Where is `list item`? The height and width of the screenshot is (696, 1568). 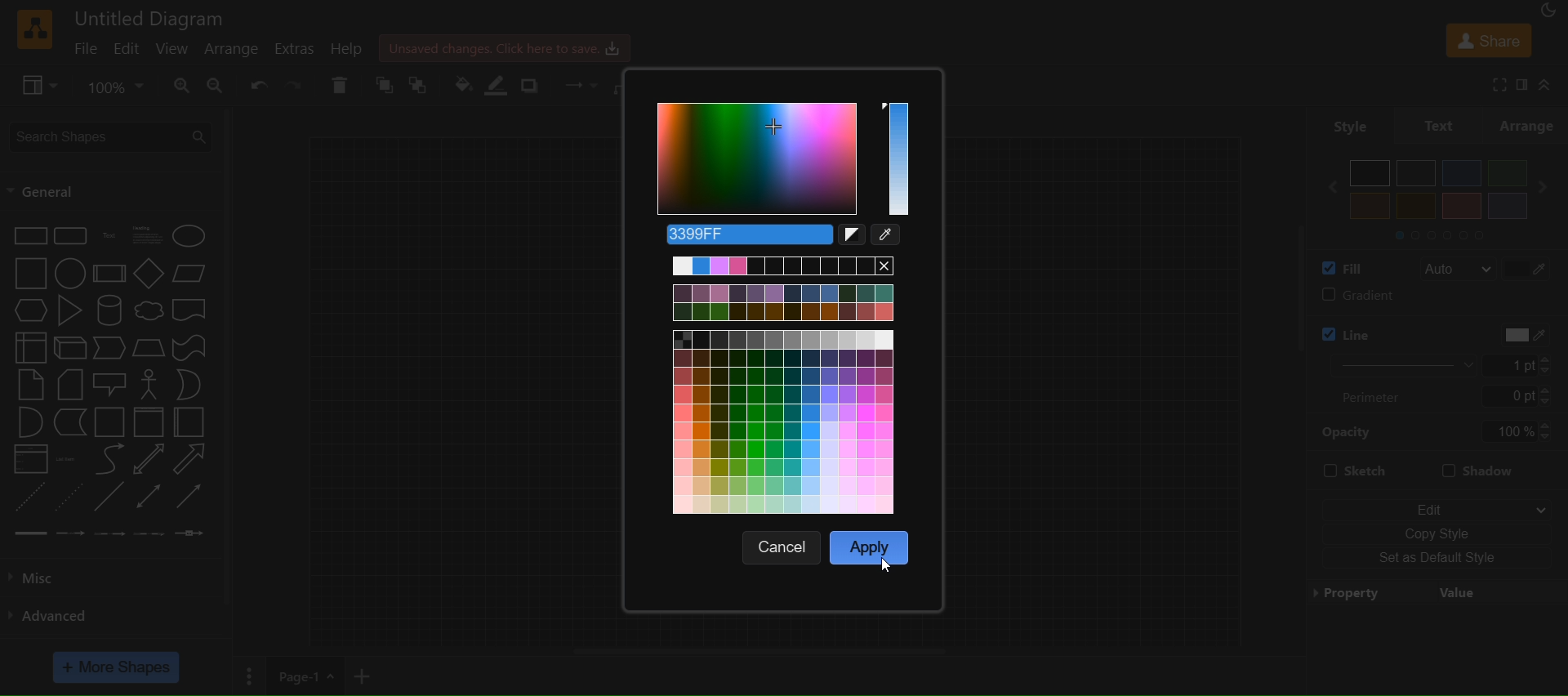 list item is located at coordinates (69, 459).